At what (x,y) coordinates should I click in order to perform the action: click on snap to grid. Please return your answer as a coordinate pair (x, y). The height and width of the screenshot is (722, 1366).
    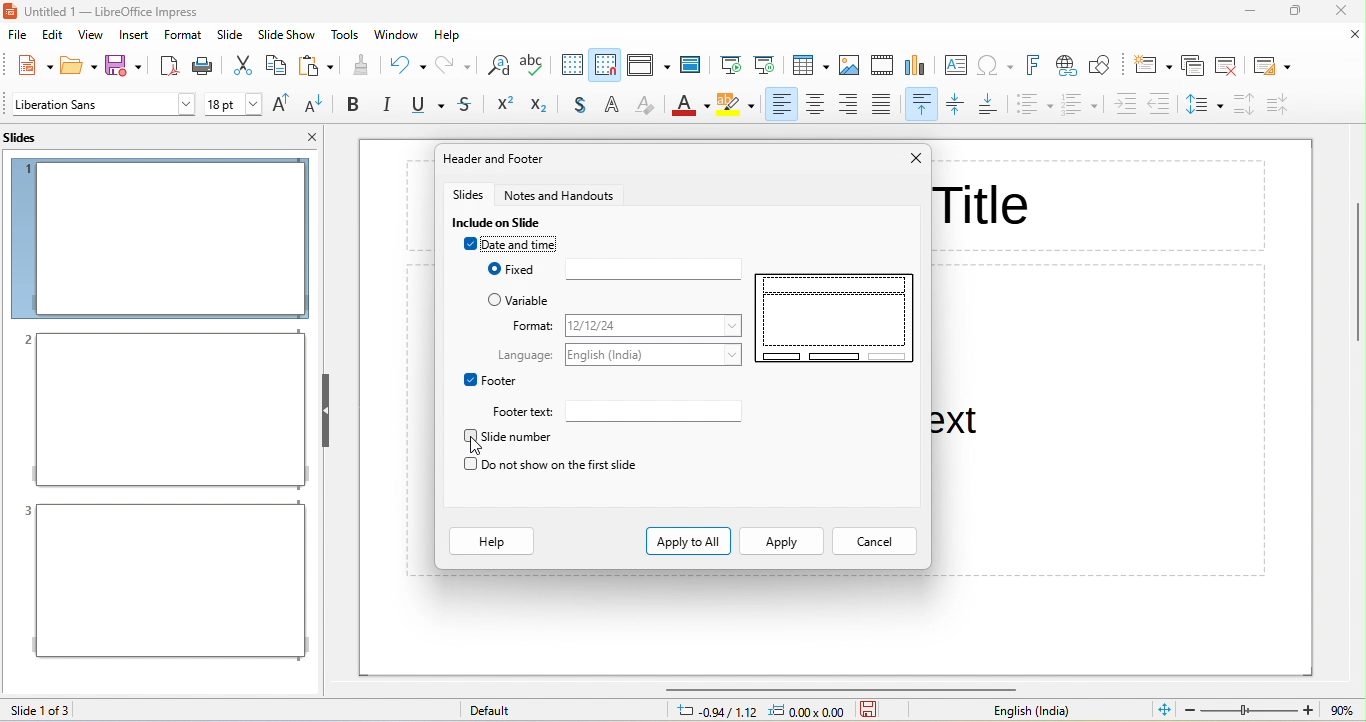
    Looking at the image, I should click on (605, 64).